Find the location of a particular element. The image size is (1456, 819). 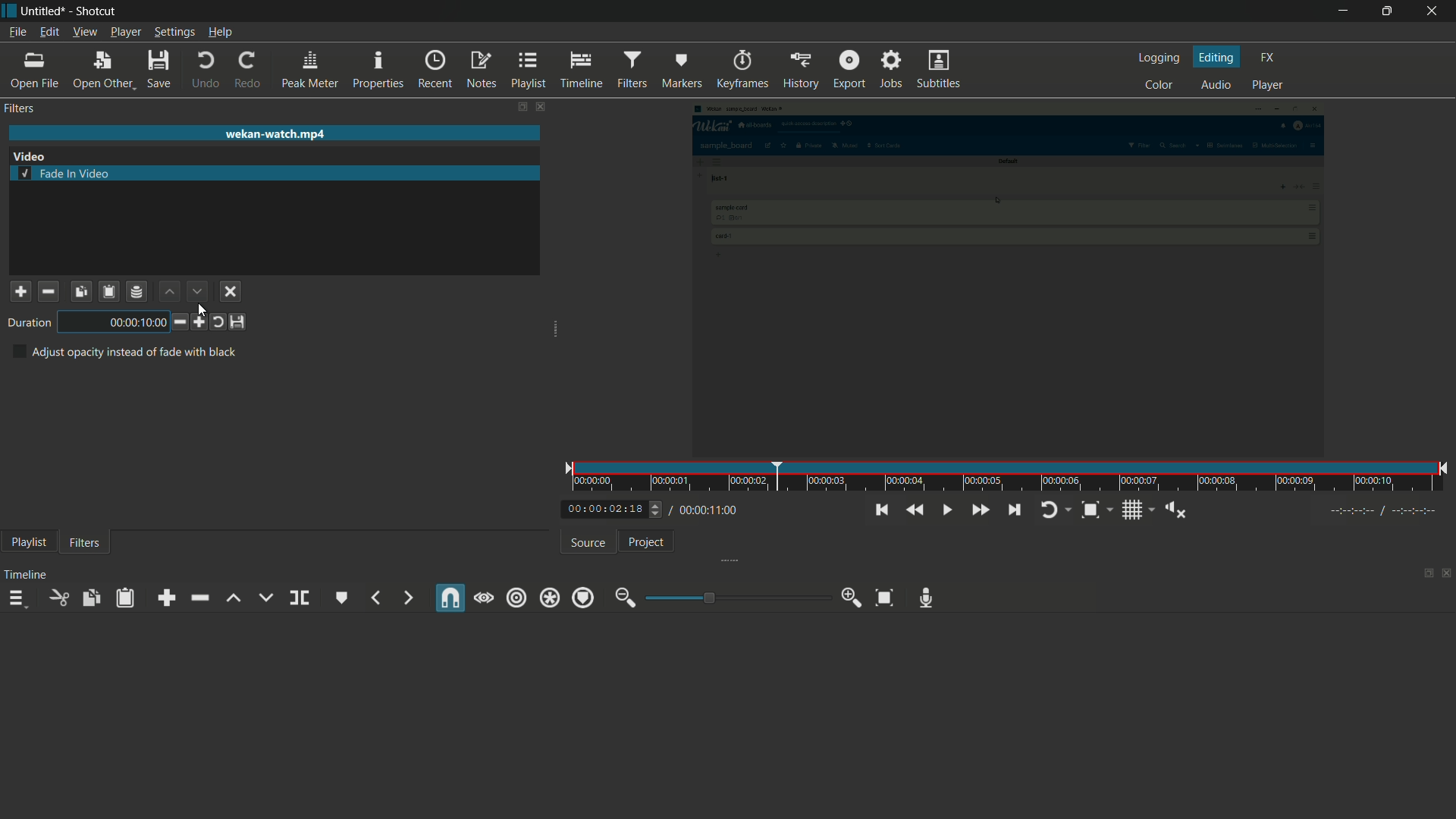

close filter is located at coordinates (541, 108).